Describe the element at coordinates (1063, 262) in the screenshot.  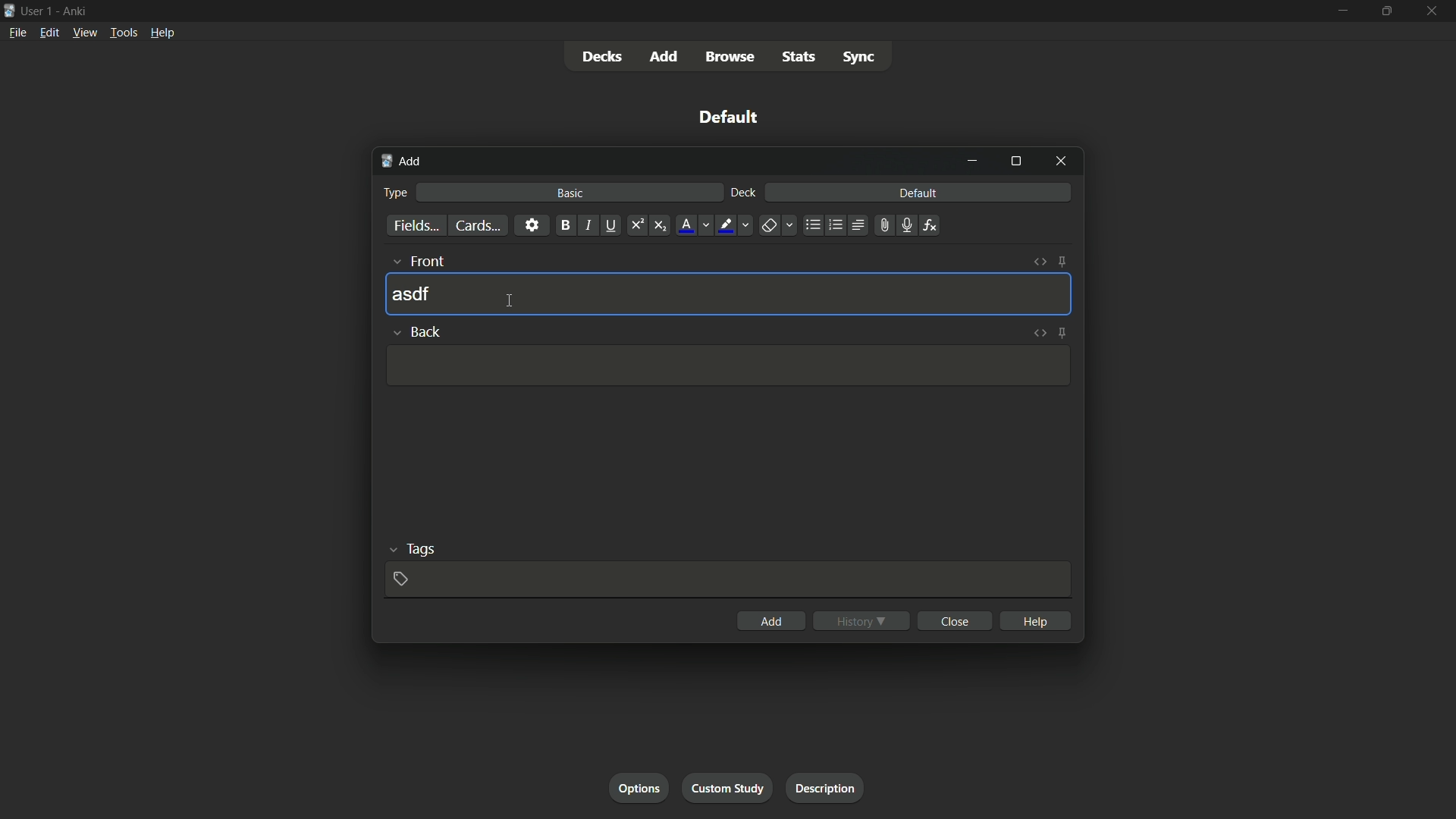
I see `toggle sticky` at that location.